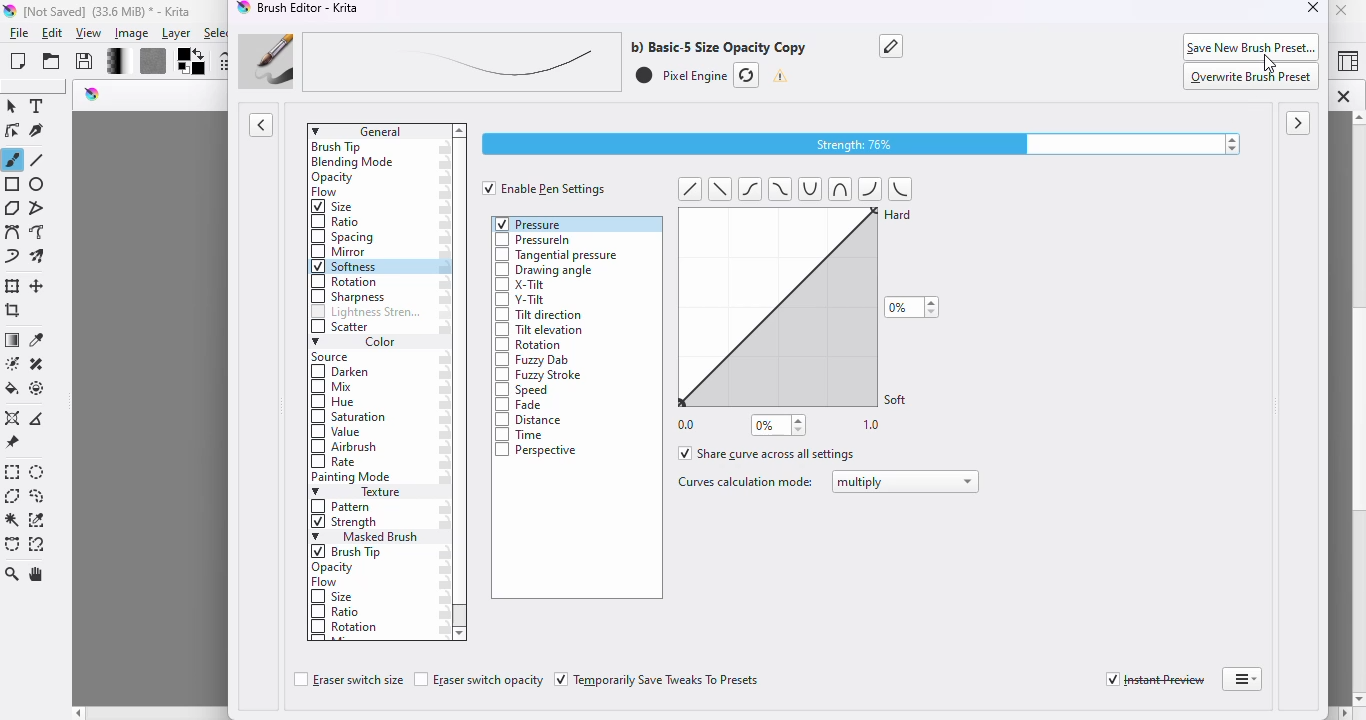 Image resolution: width=1366 pixels, height=720 pixels. What do you see at coordinates (337, 147) in the screenshot?
I see `brush tip` at bounding box center [337, 147].